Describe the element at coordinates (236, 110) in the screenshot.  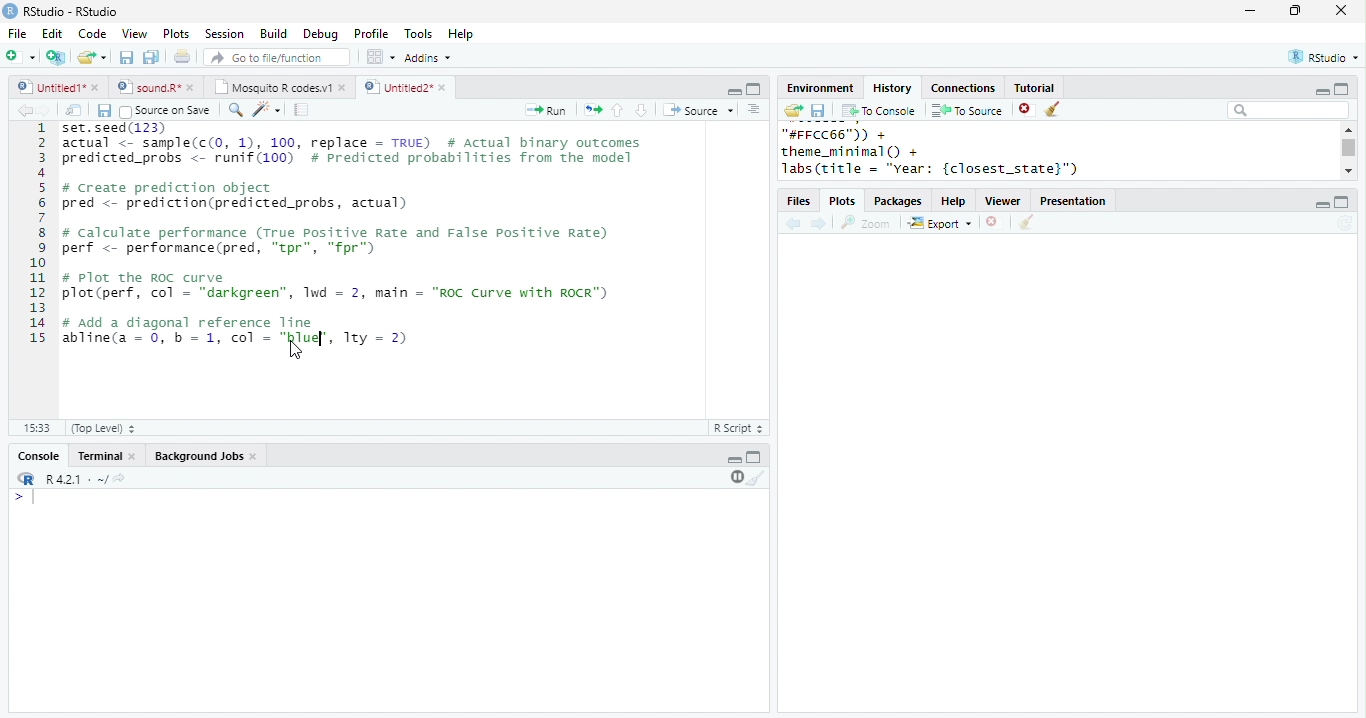
I see `search` at that location.